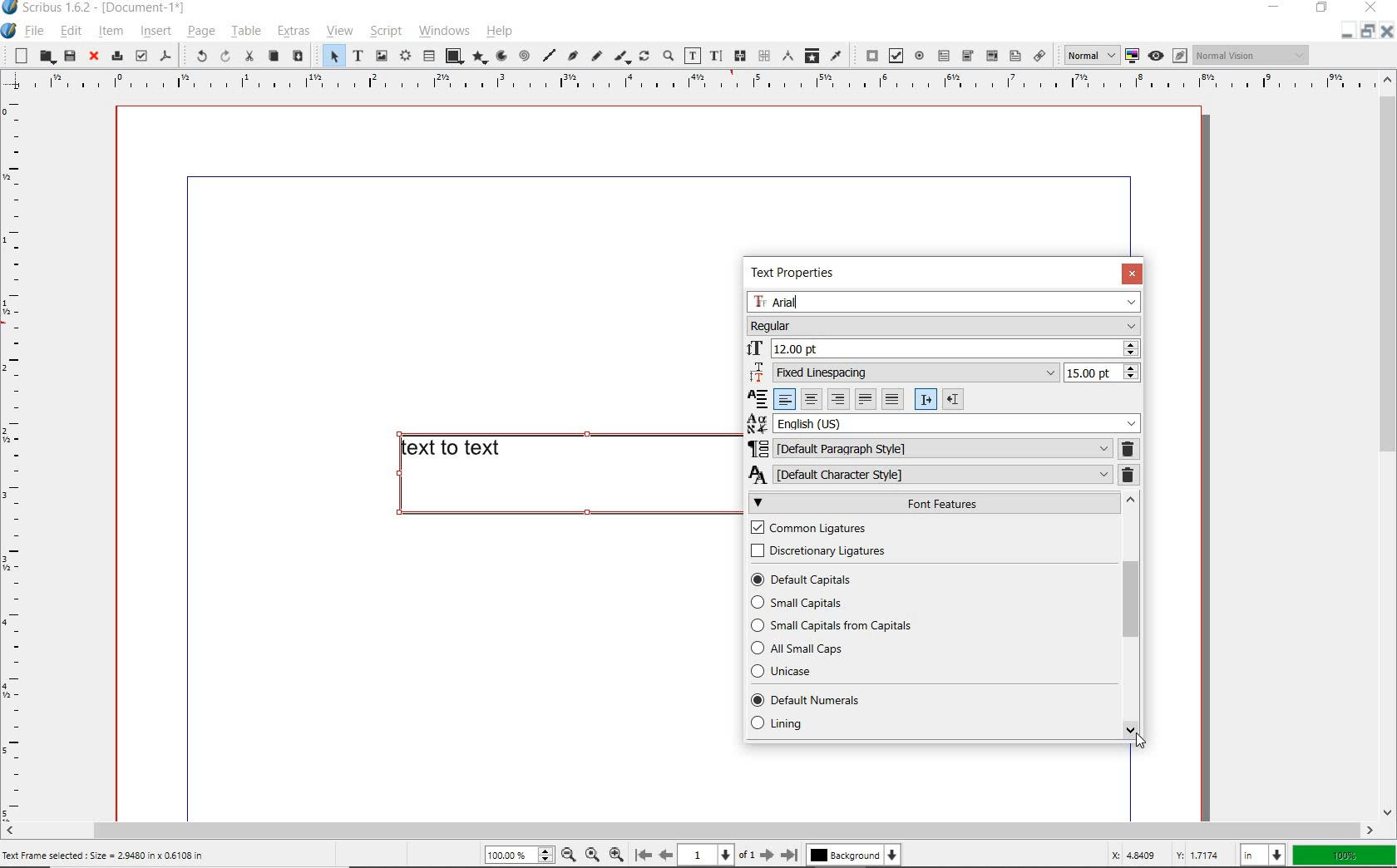 This screenshot has height=868, width=1397. I want to click on close, so click(1371, 7).